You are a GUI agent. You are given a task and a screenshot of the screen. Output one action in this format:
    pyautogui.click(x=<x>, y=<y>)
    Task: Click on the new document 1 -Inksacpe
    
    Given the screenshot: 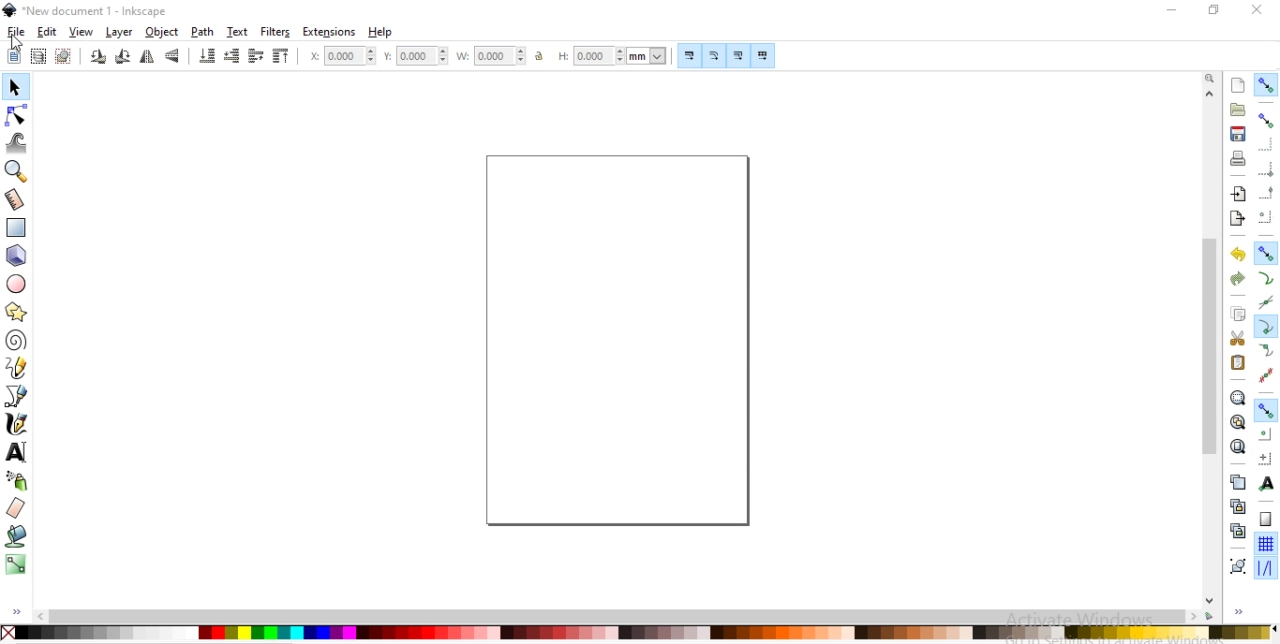 What is the action you would take?
    pyautogui.click(x=94, y=12)
    